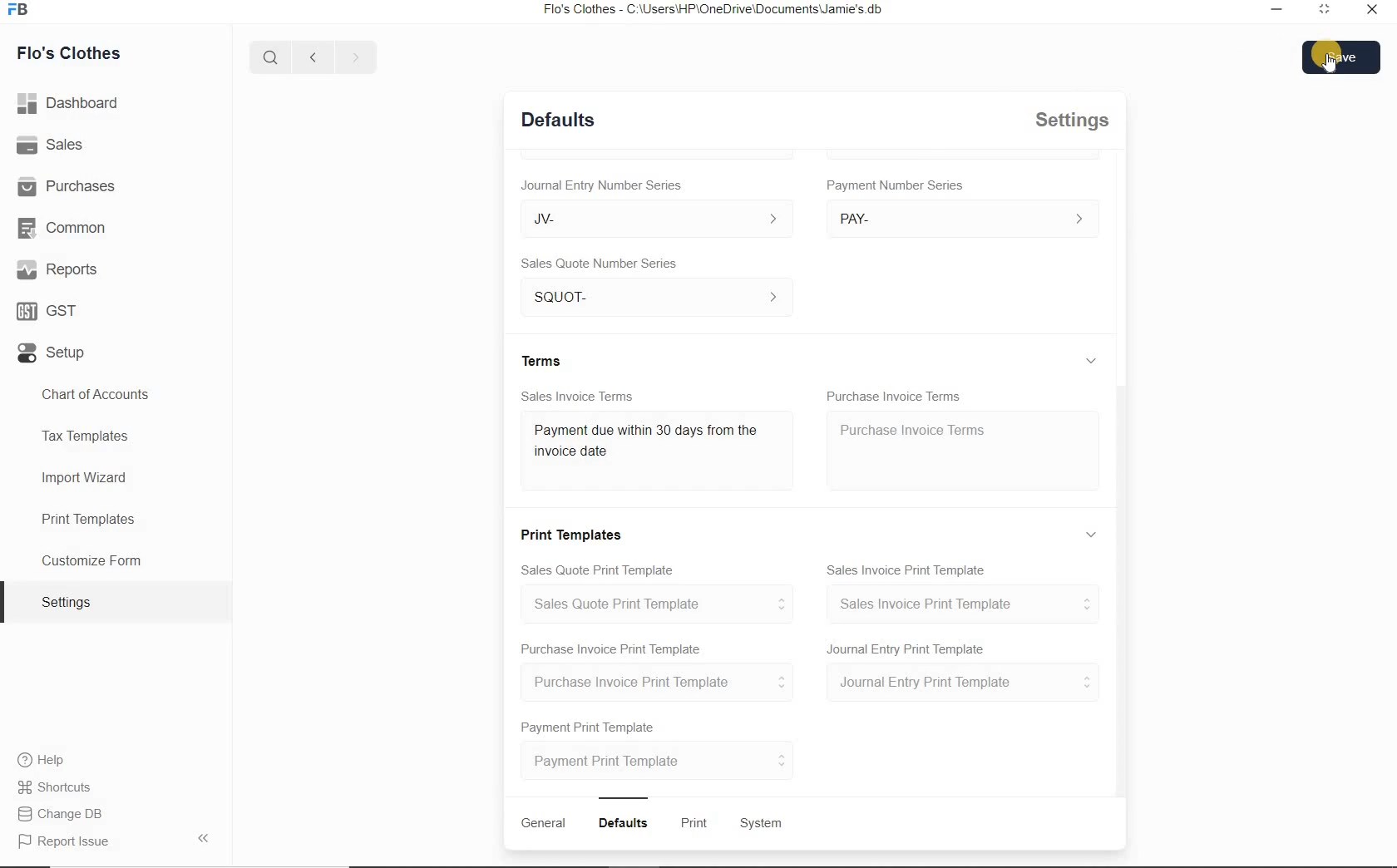 The image size is (1397, 868). I want to click on Help, so click(41, 759).